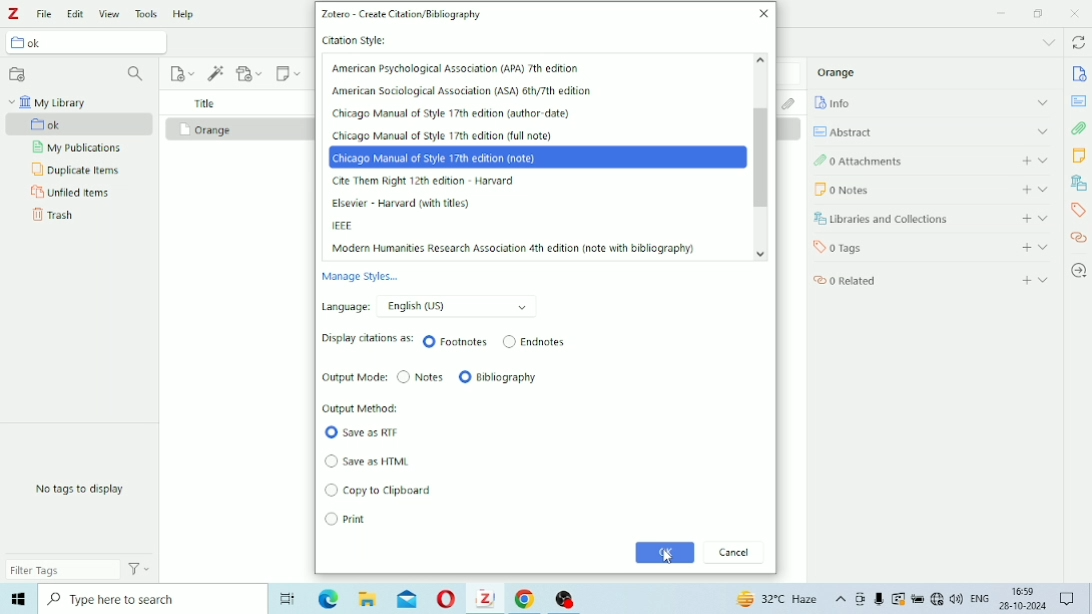 The image size is (1092, 614). I want to click on Libraries and Collections, so click(1078, 182).